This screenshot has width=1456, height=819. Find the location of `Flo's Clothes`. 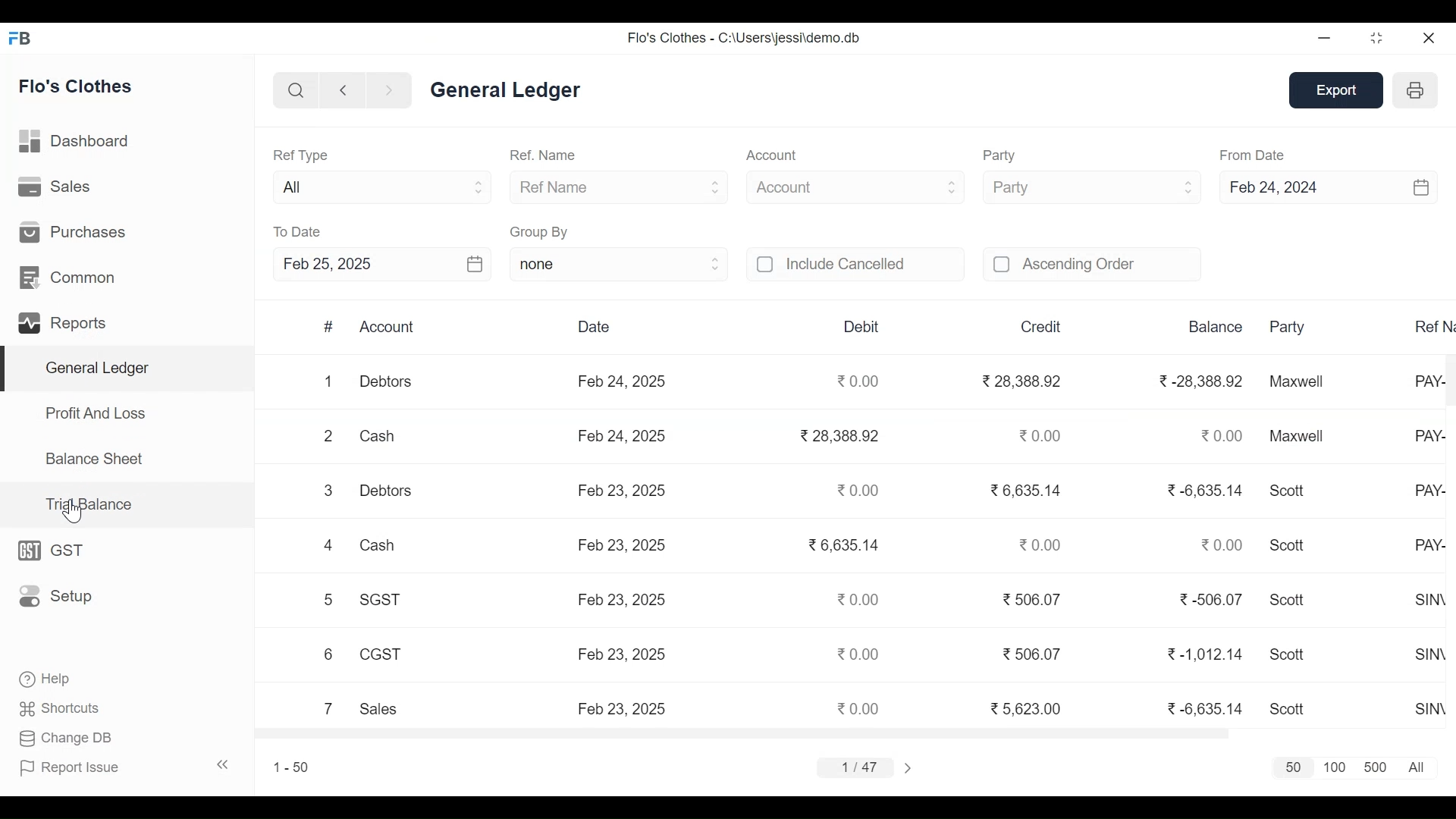

Flo's Clothes is located at coordinates (75, 86).